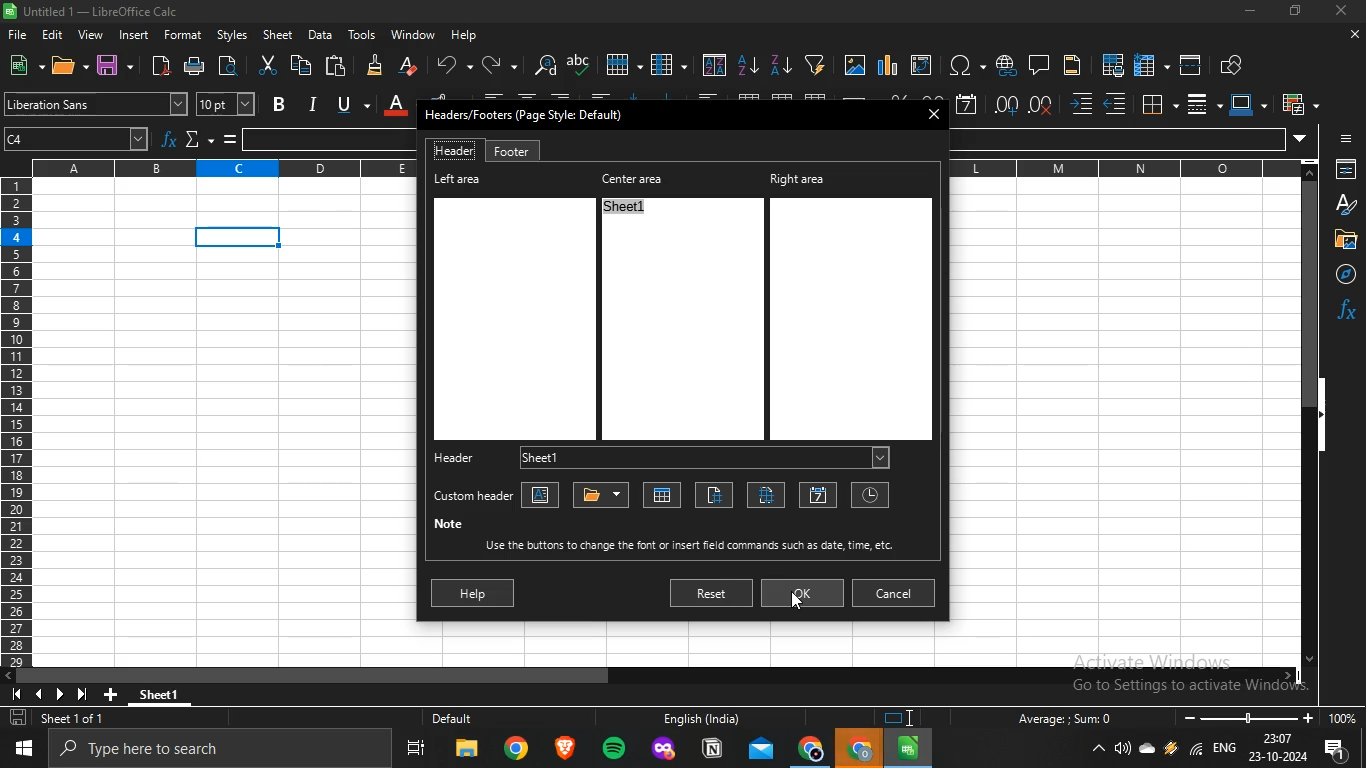 This screenshot has height=768, width=1366. I want to click on border color, so click(1244, 103).